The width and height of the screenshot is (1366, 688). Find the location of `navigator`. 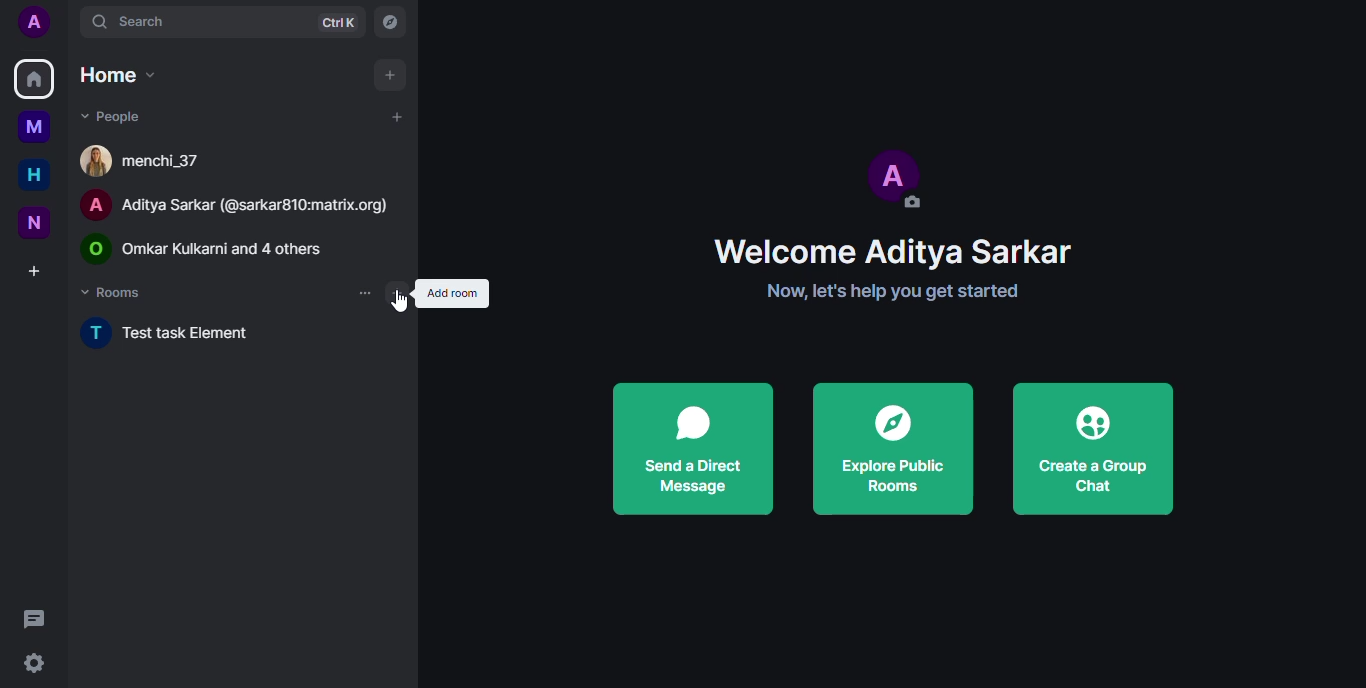

navigator is located at coordinates (389, 21).